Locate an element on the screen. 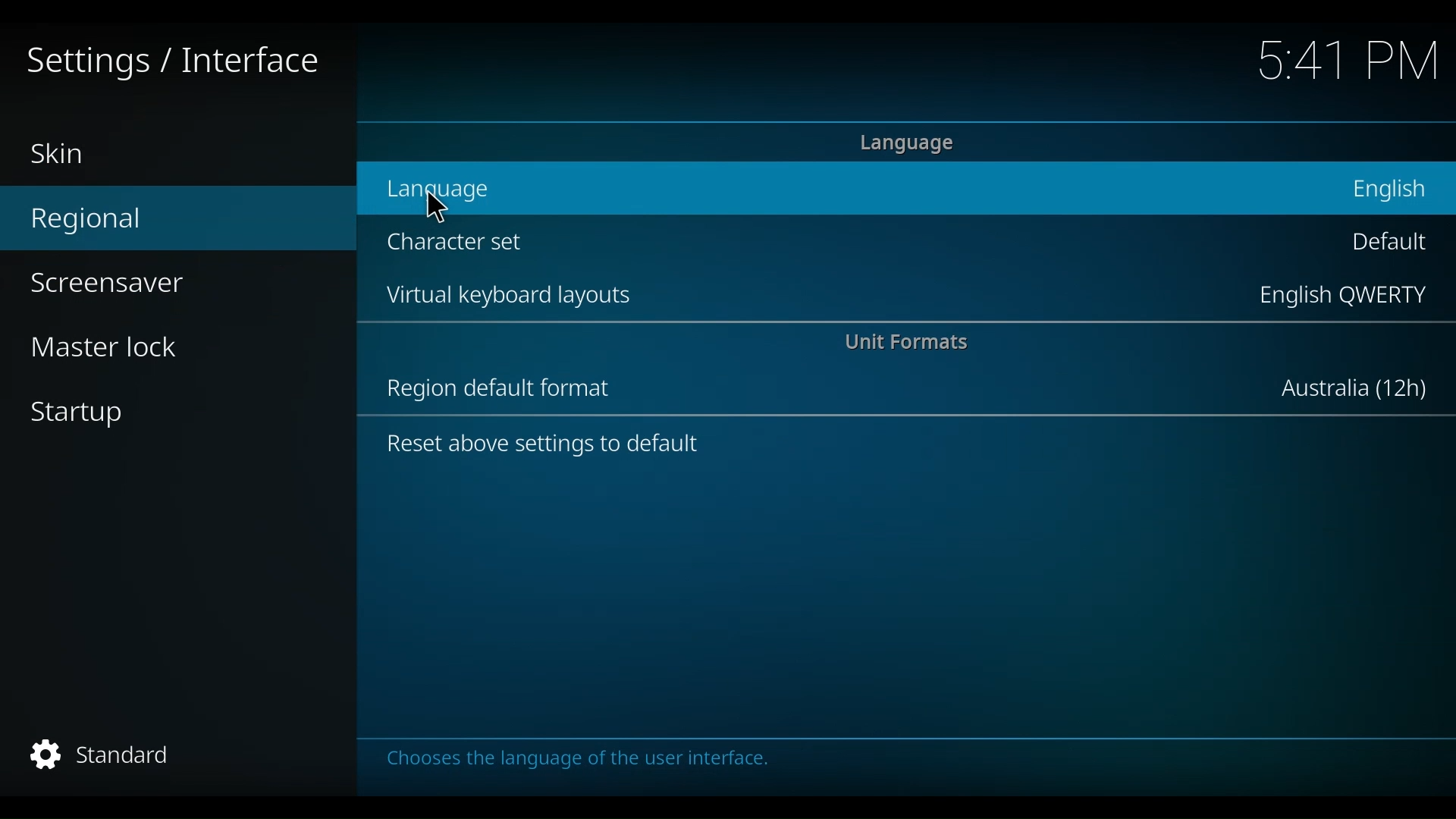  time is located at coordinates (1351, 63).